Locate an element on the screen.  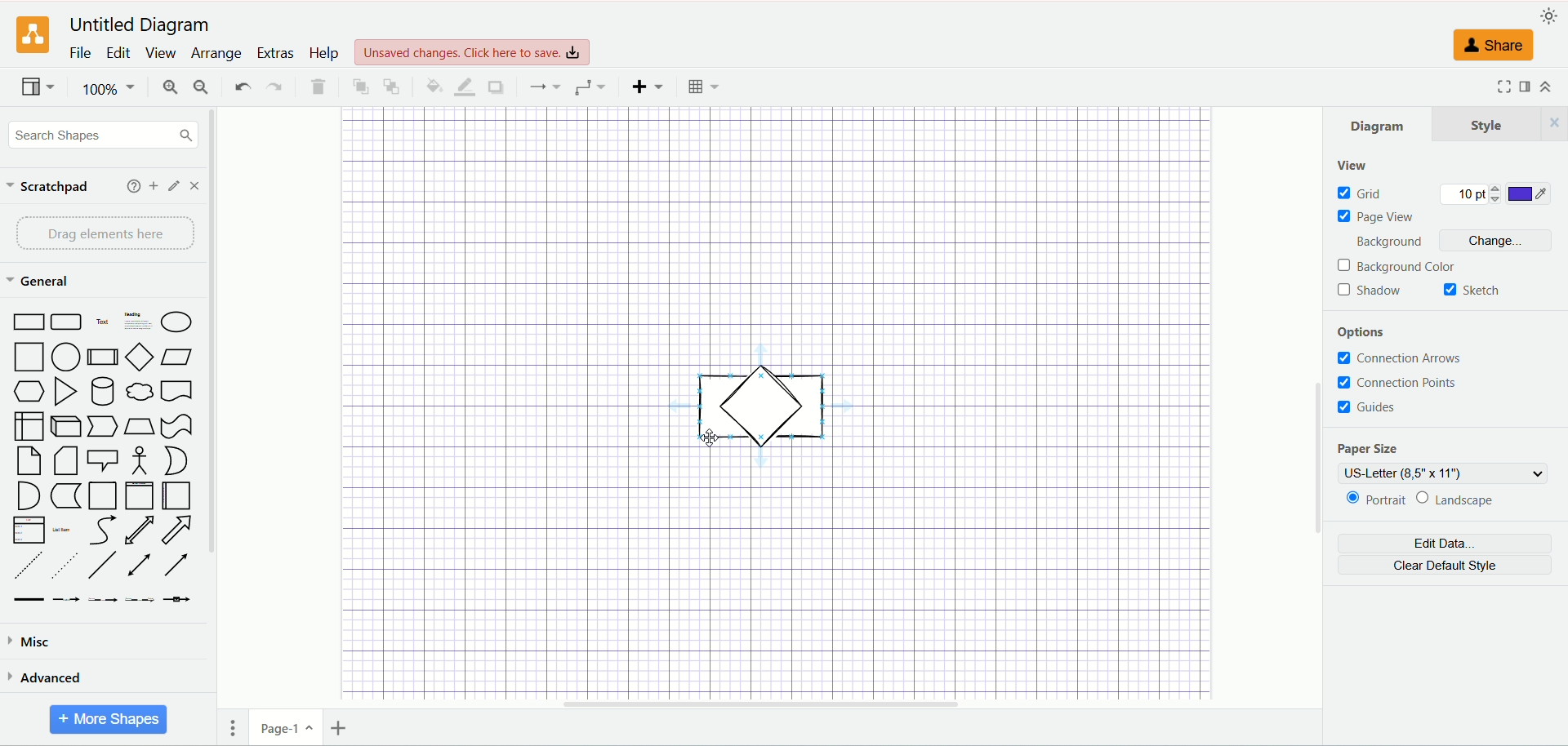
10 pt is located at coordinates (1469, 193).